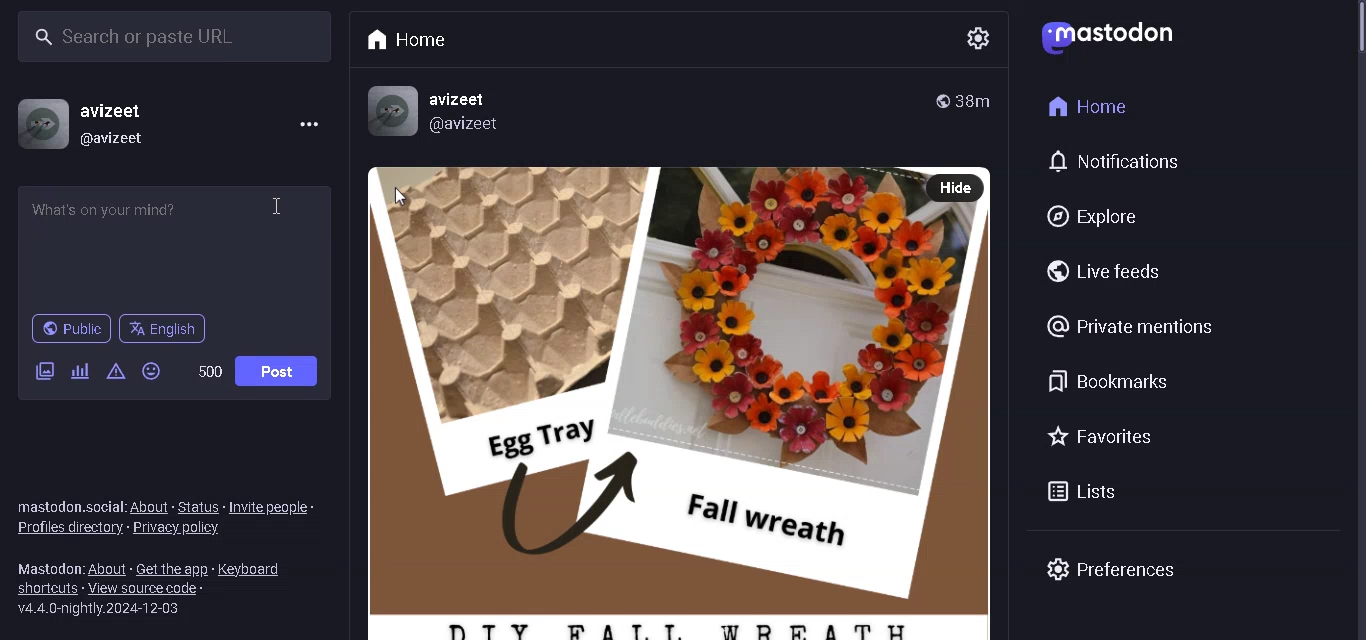 The image size is (1366, 640). What do you see at coordinates (1099, 267) in the screenshot?
I see `live feeds` at bounding box center [1099, 267].